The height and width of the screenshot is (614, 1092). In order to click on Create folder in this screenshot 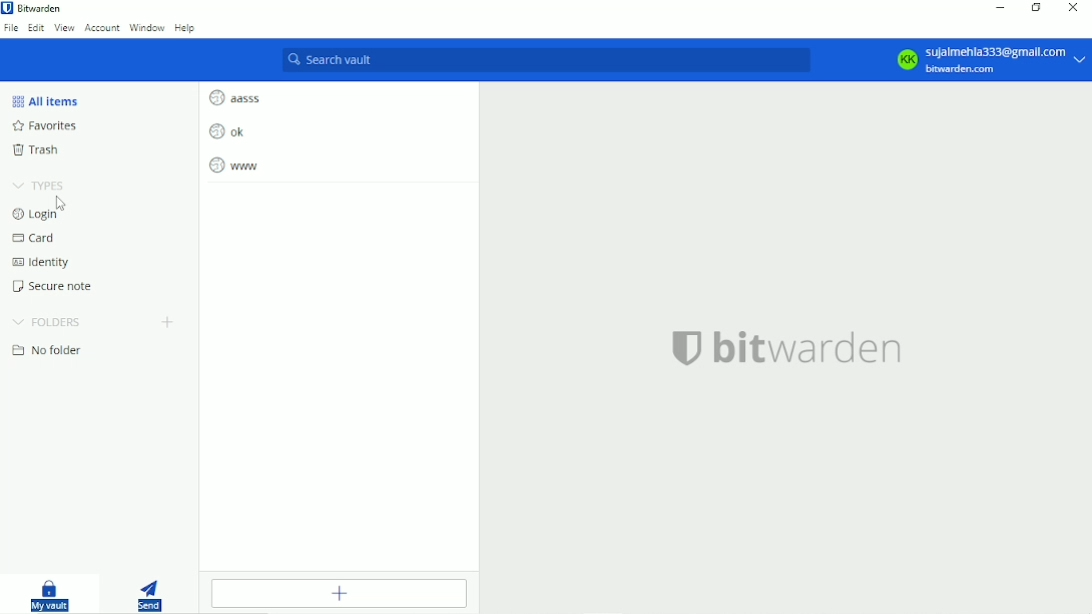, I will do `click(167, 321)`.